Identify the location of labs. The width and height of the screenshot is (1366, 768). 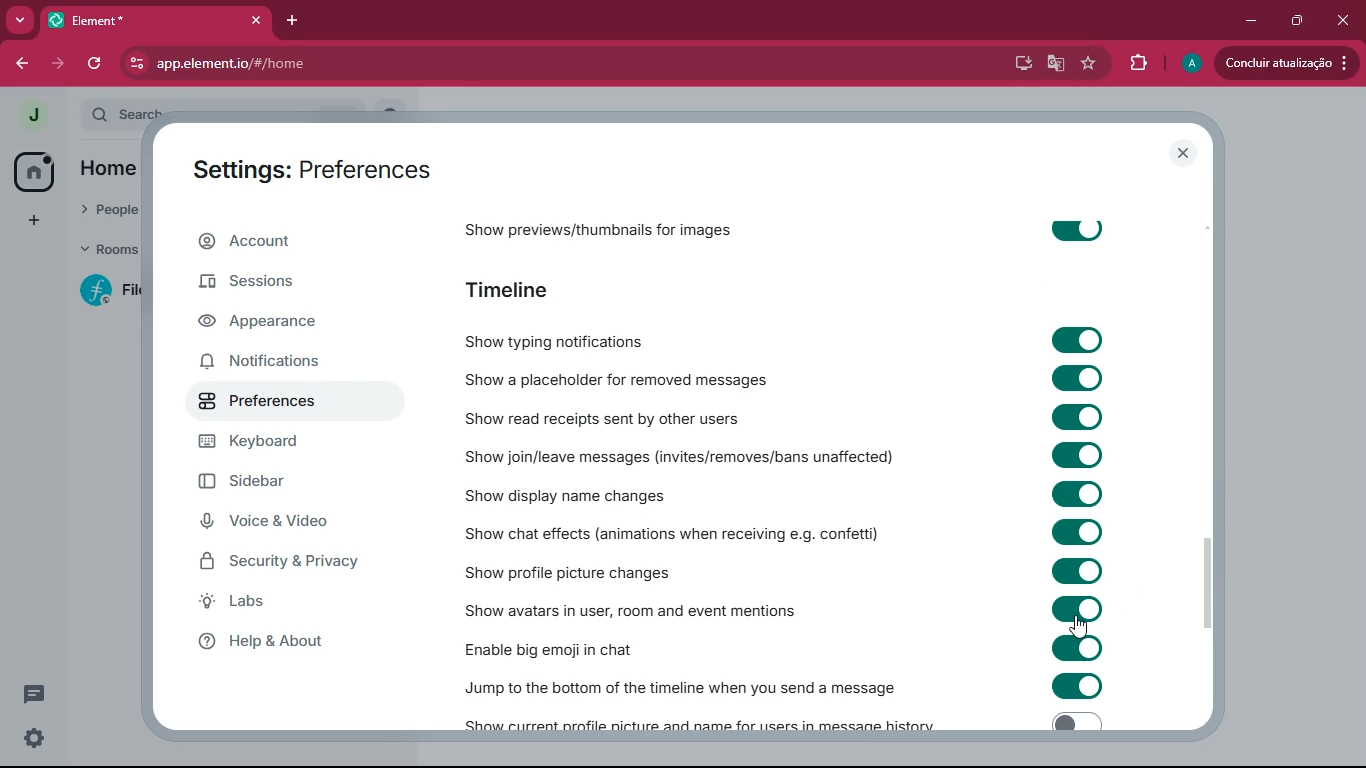
(273, 606).